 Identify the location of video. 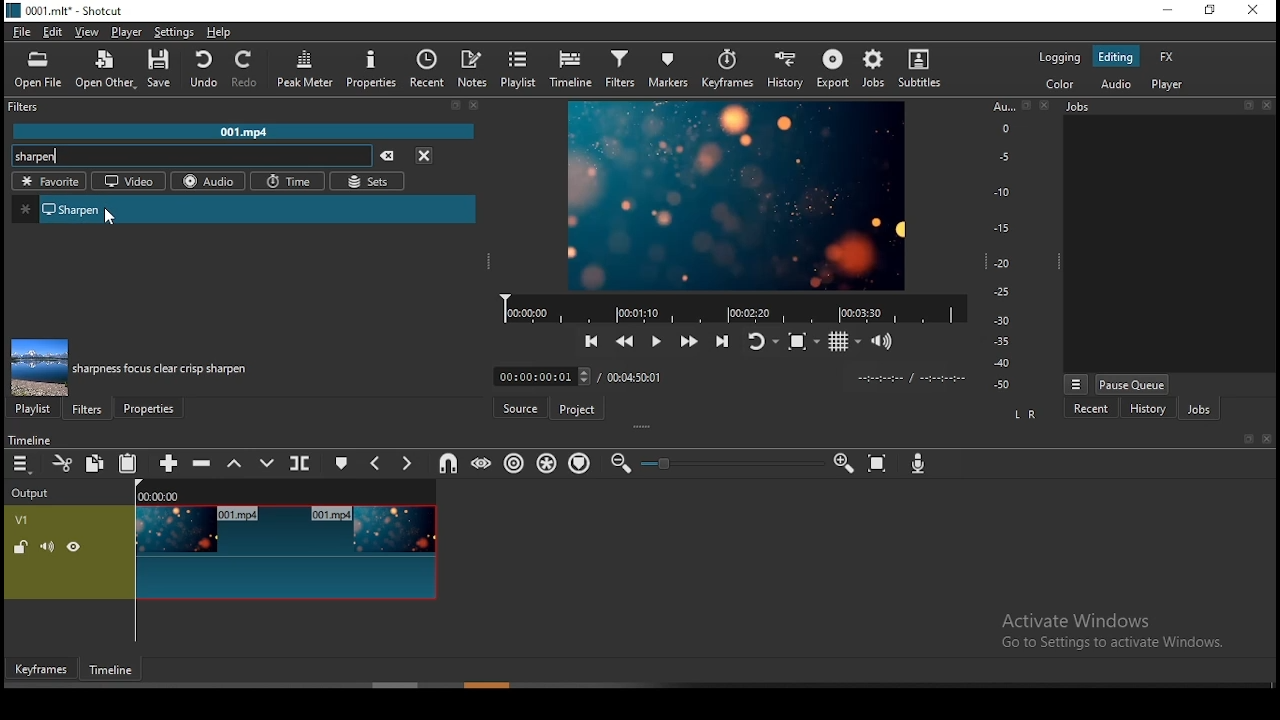
(128, 183).